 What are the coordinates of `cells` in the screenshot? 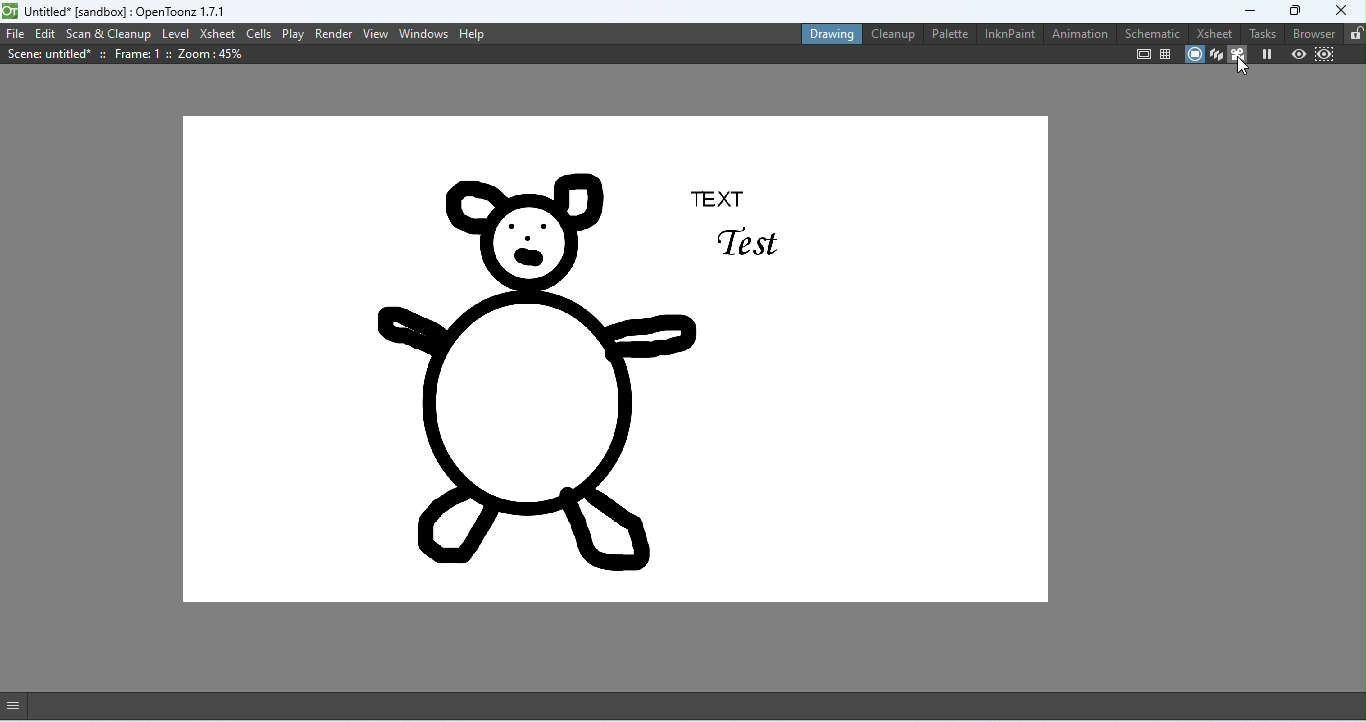 It's located at (259, 33).